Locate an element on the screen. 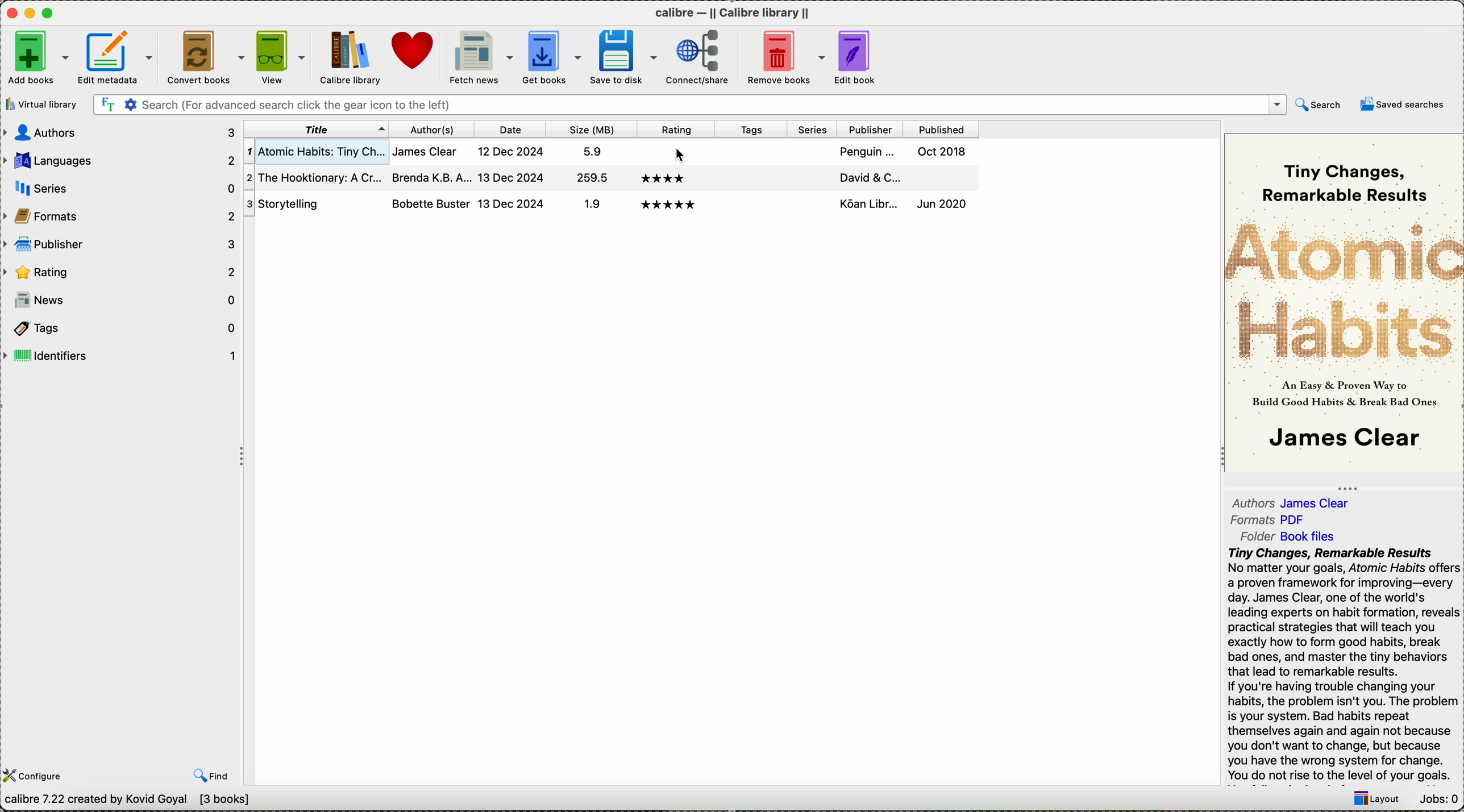 The height and width of the screenshot is (812, 1464). save to disk is located at coordinates (626, 56).